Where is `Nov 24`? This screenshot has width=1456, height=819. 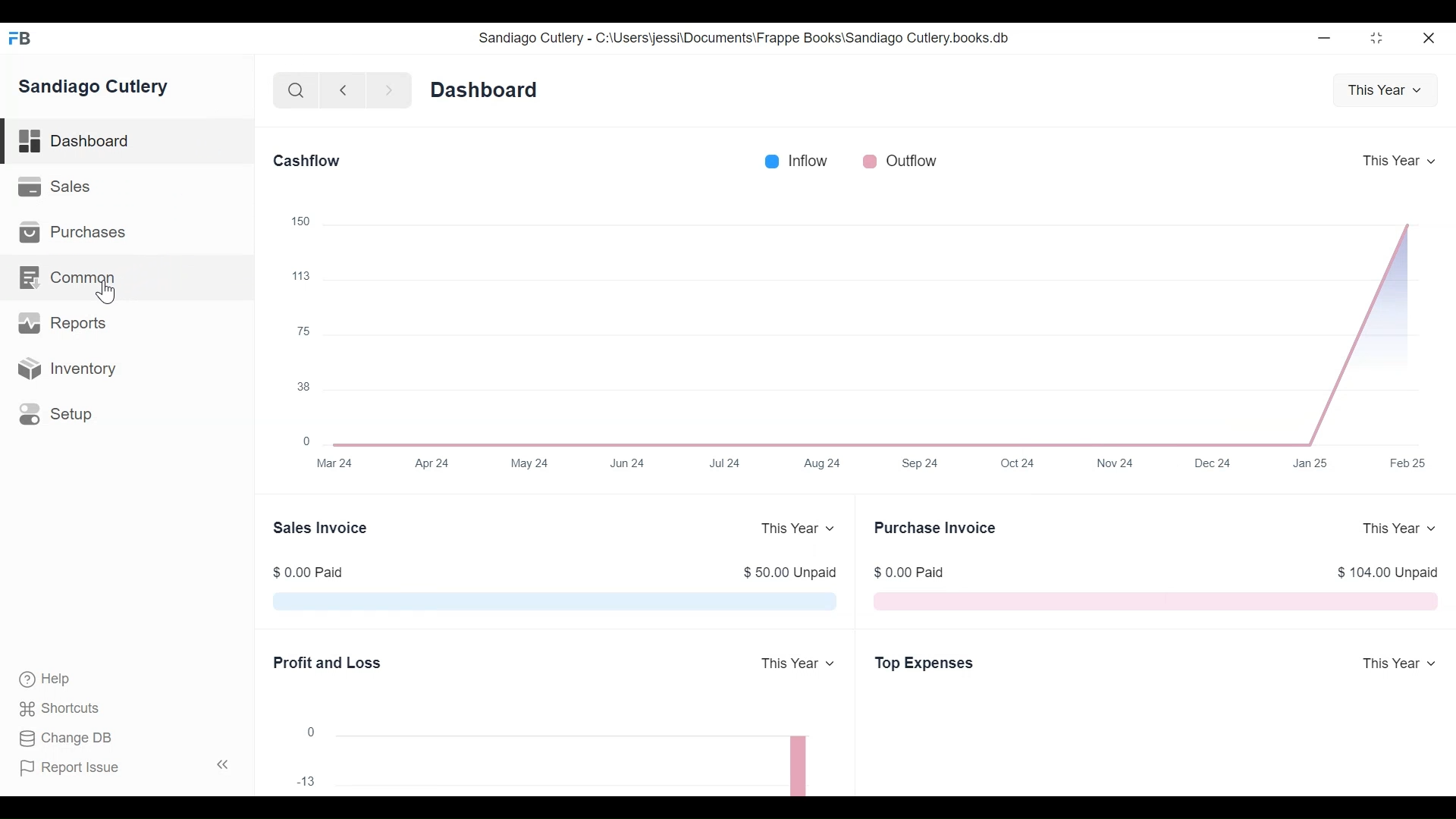 Nov 24 is located at coordinates (1119, 462).